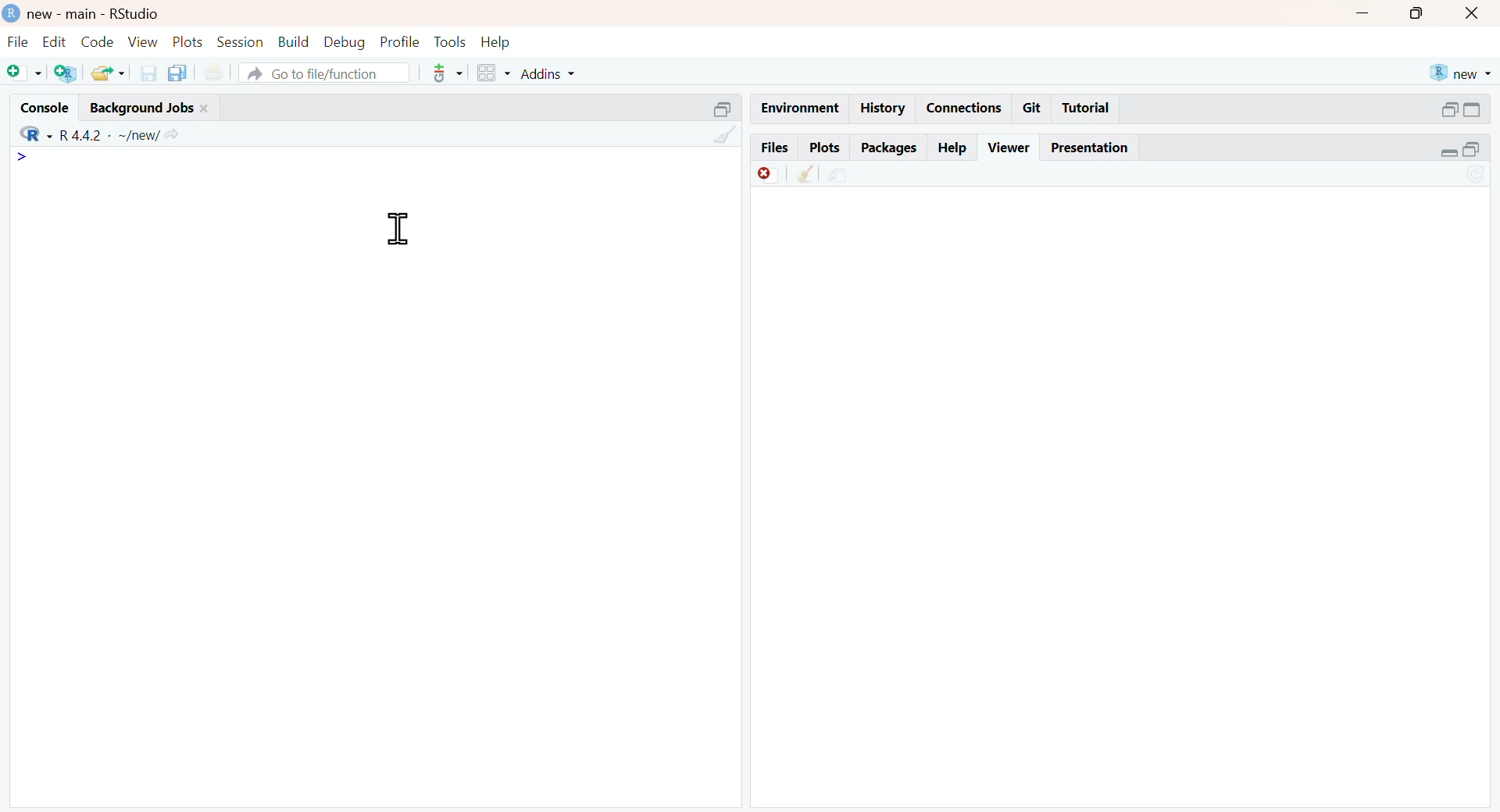 The image size is (1500, 812). What do you see at coordinates (883, 108) in the screenshot?
I see `History` at bounding box center [883, 108].